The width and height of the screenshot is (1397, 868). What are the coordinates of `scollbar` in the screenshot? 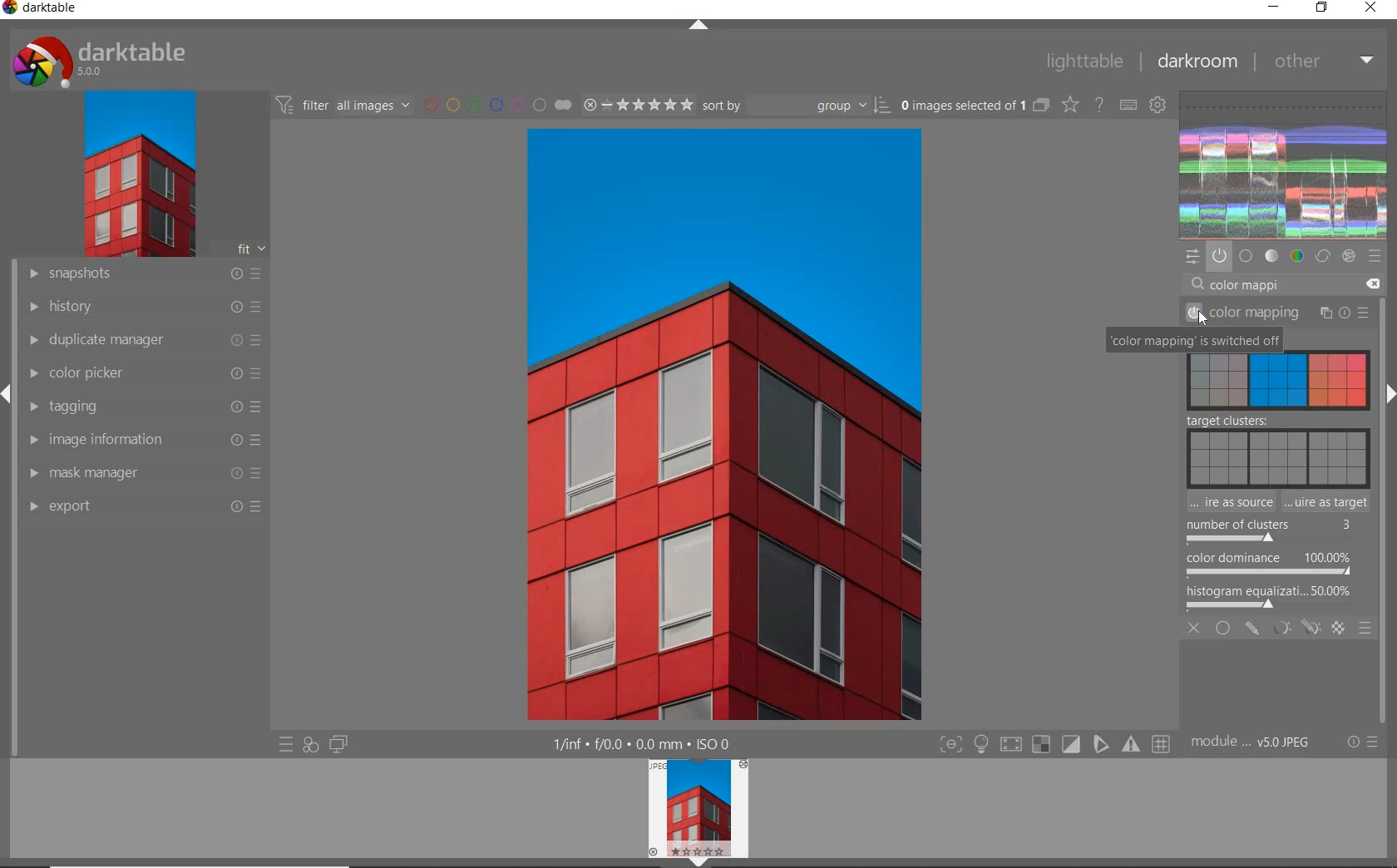 It's located at (1387, 333).